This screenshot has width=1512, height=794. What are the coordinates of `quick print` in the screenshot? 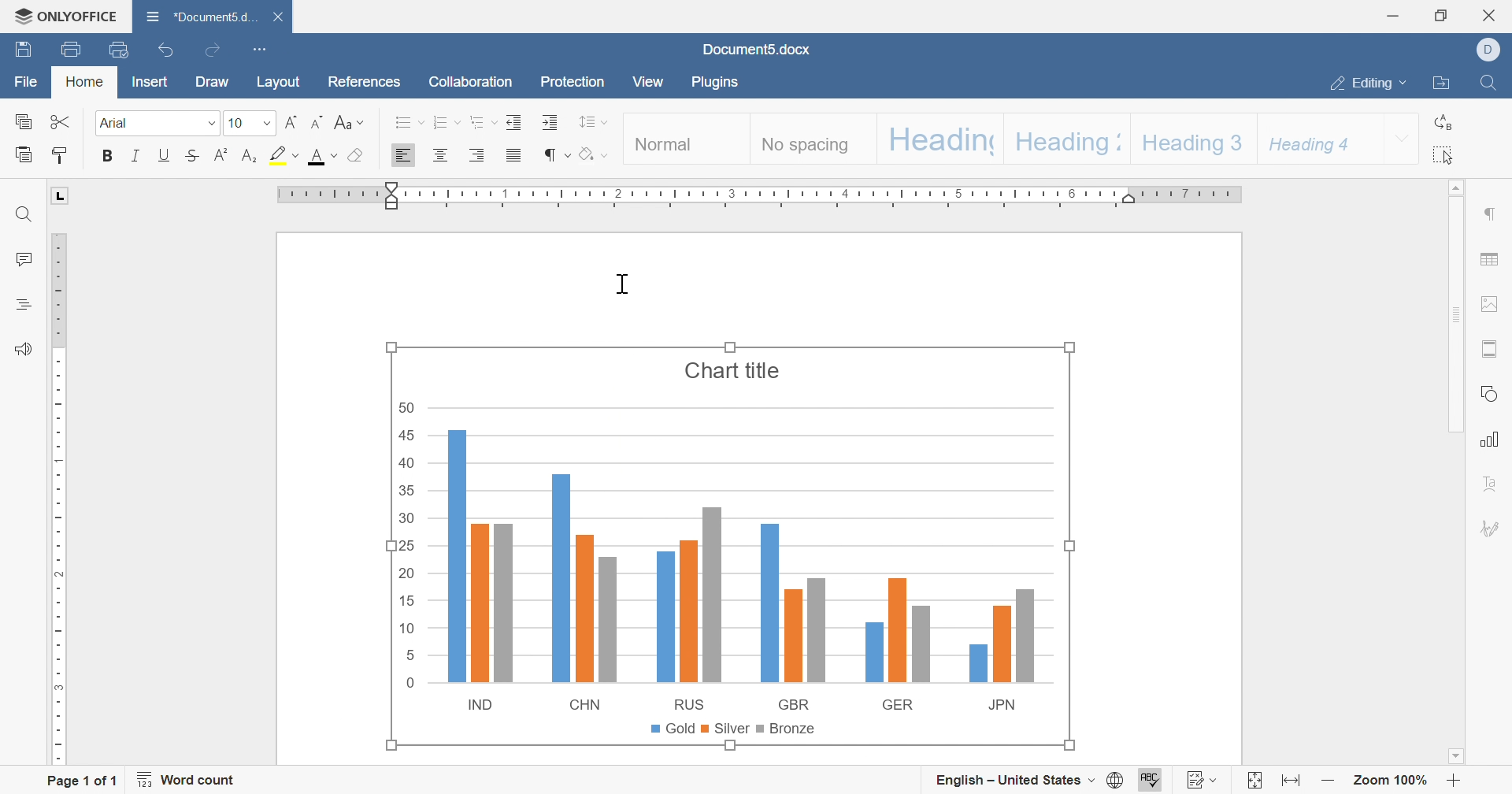 It's located at (118, 49).